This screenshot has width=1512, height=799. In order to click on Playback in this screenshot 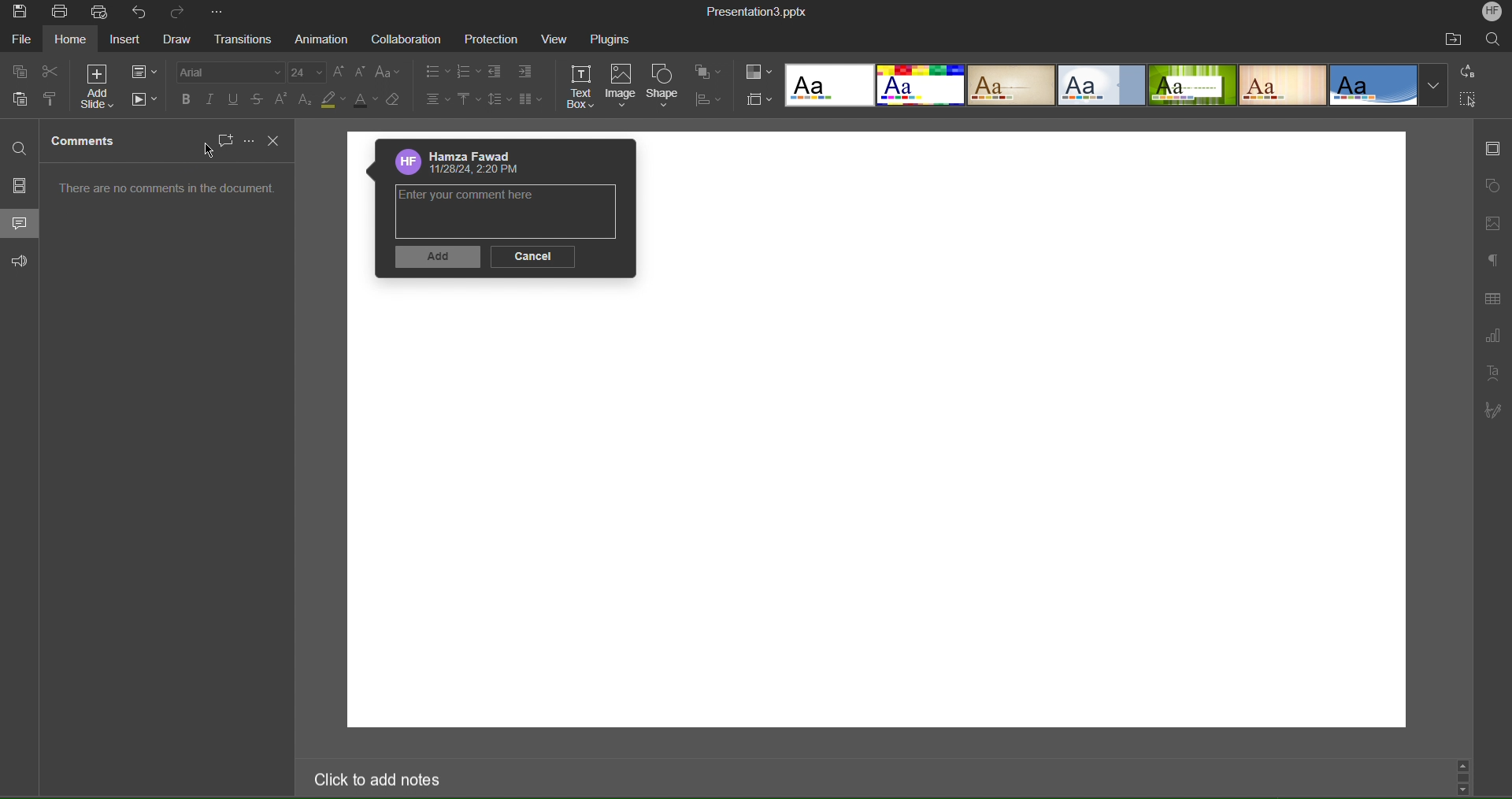, I will do `click(145, 99)`.